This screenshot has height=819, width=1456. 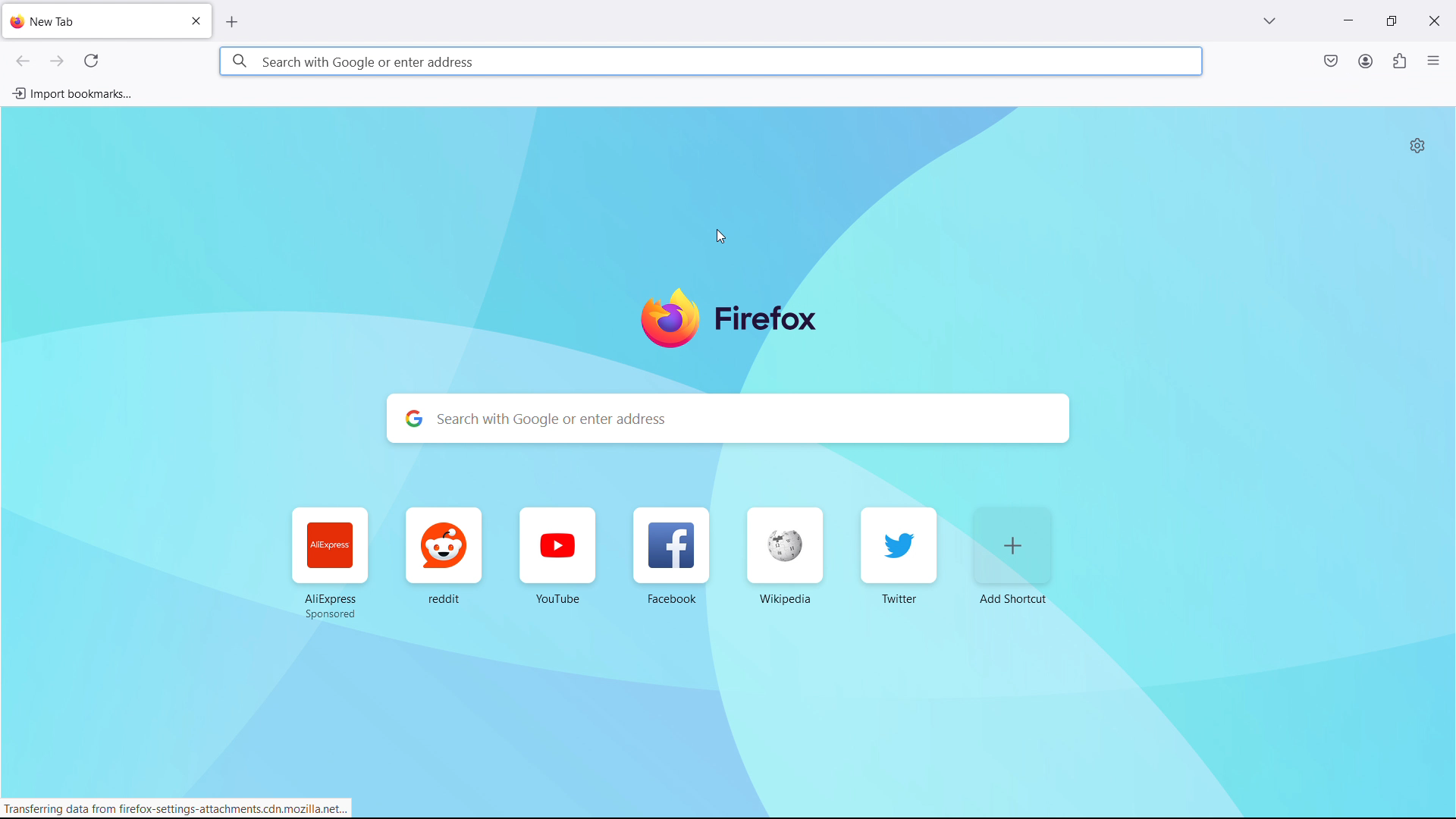 What do you see at coordinates (444, 559) in the screenshot?
I see `reddit` at bounding box center [444, 559].